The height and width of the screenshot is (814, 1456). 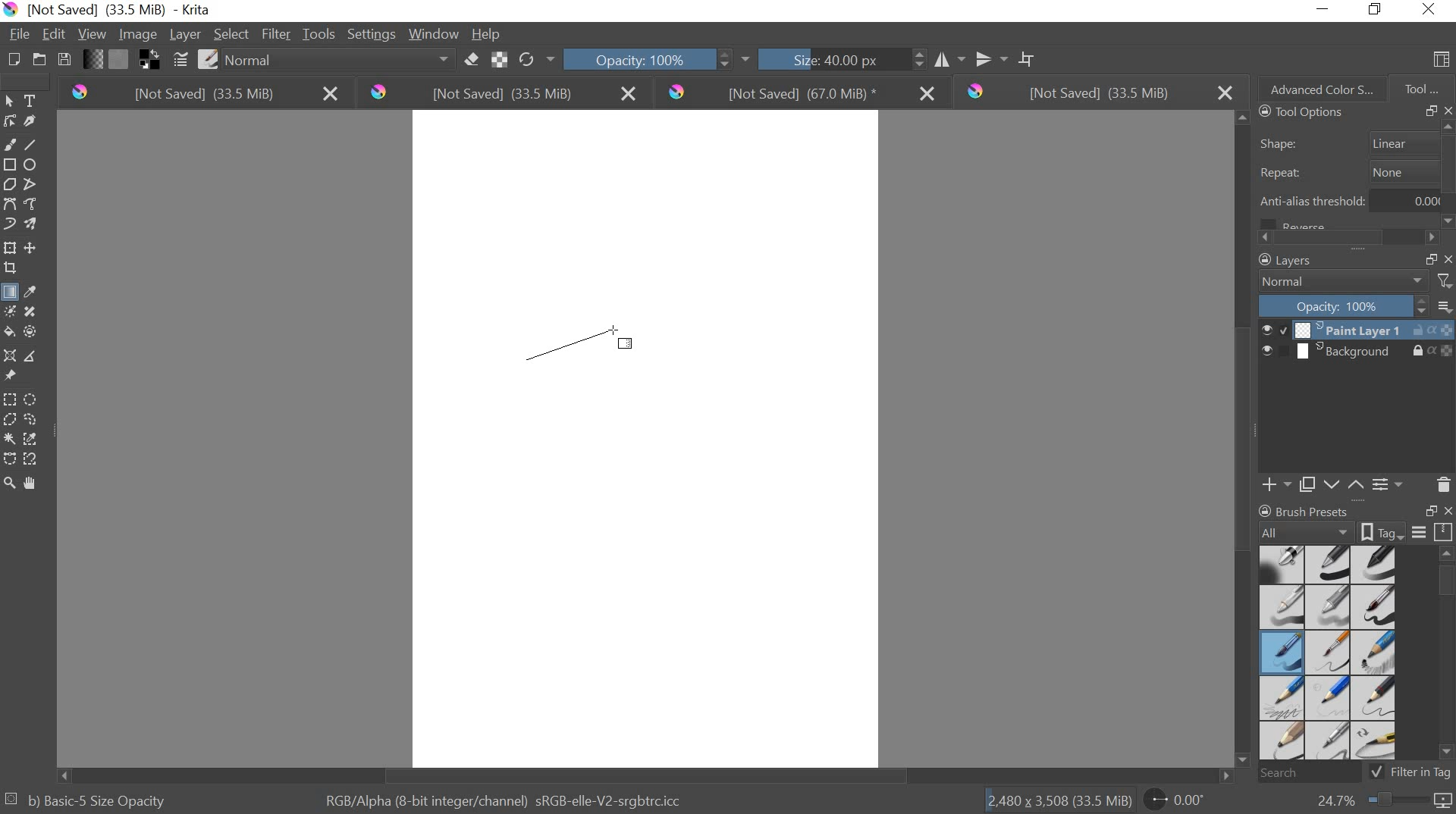 What do you see at coordinates (1447, 658) in the screenshot?
I see `SCROLLBAR` at bounding box center [1447, 658].